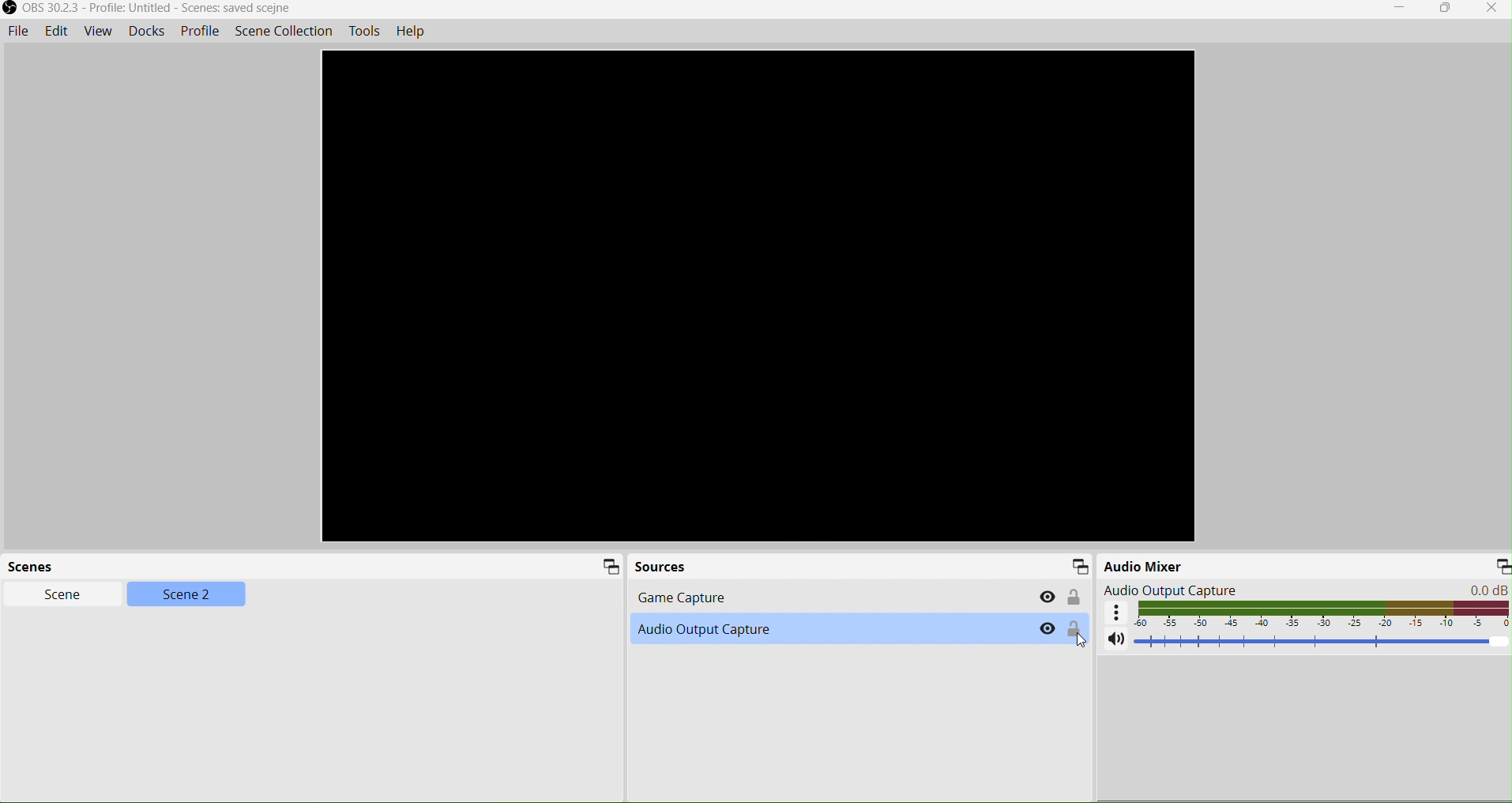 Image resolution: width=1512 pixels, height=803 pixels. What do you see at coordinates (1114, 614) in the screenshot?
I see `Advanced audio setting ` at bounding box center [1114, 614].